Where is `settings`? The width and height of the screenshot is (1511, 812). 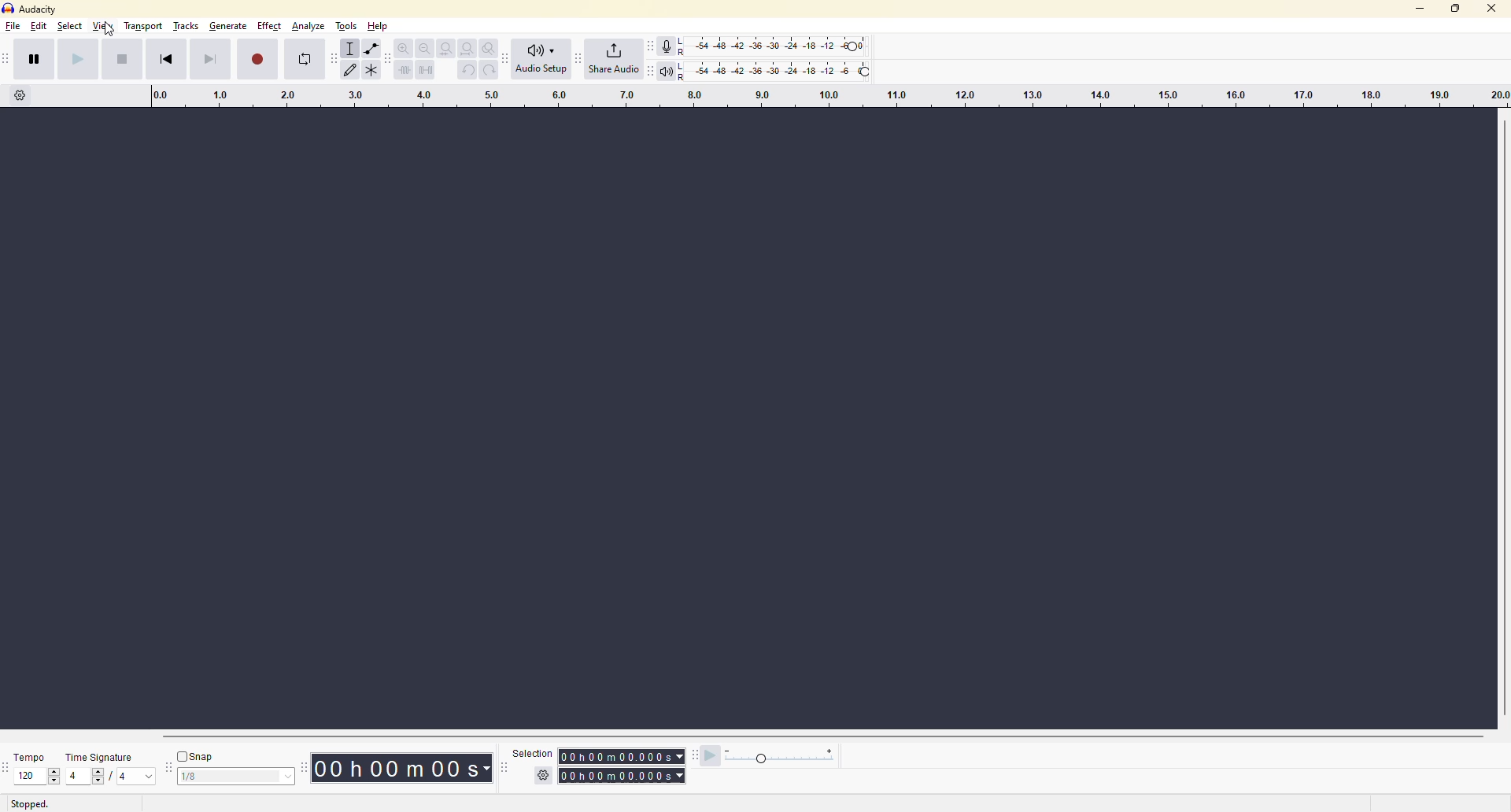 settings is located at coordinates (545, 775).